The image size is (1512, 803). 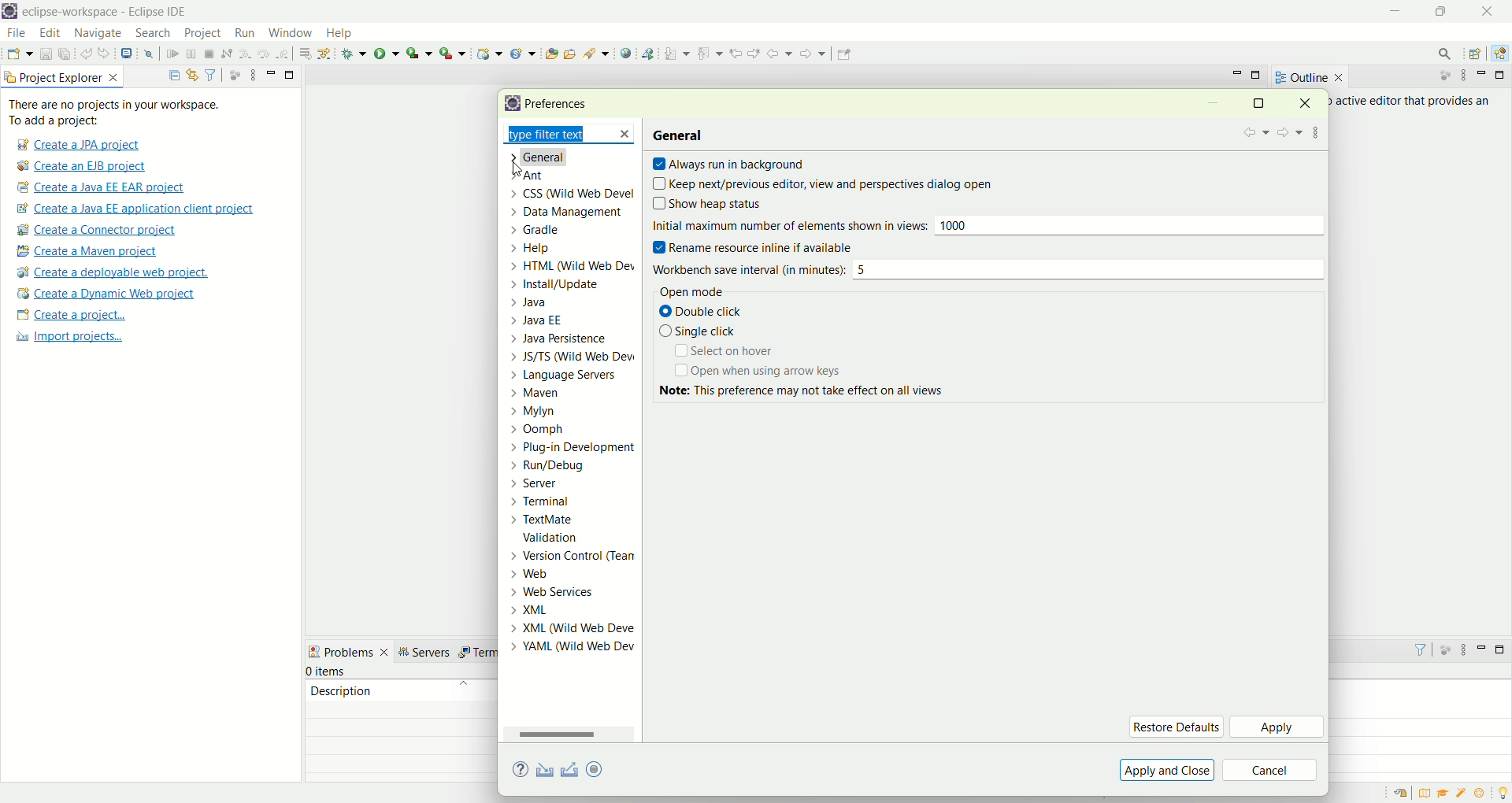 I want to click on run/debug, so click(x=575, y=470).